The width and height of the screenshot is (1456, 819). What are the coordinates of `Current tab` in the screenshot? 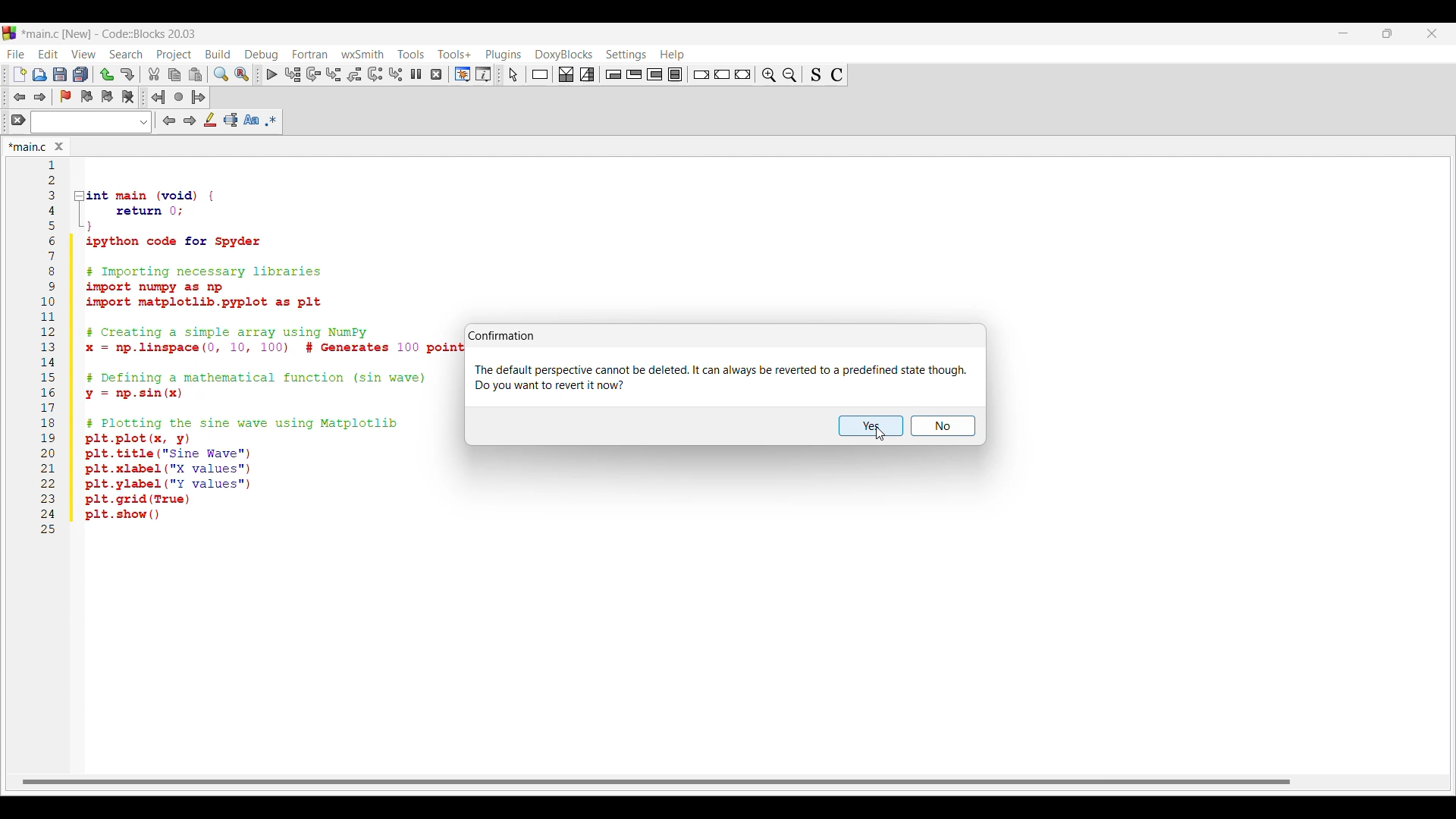 It's located at (27, 146).